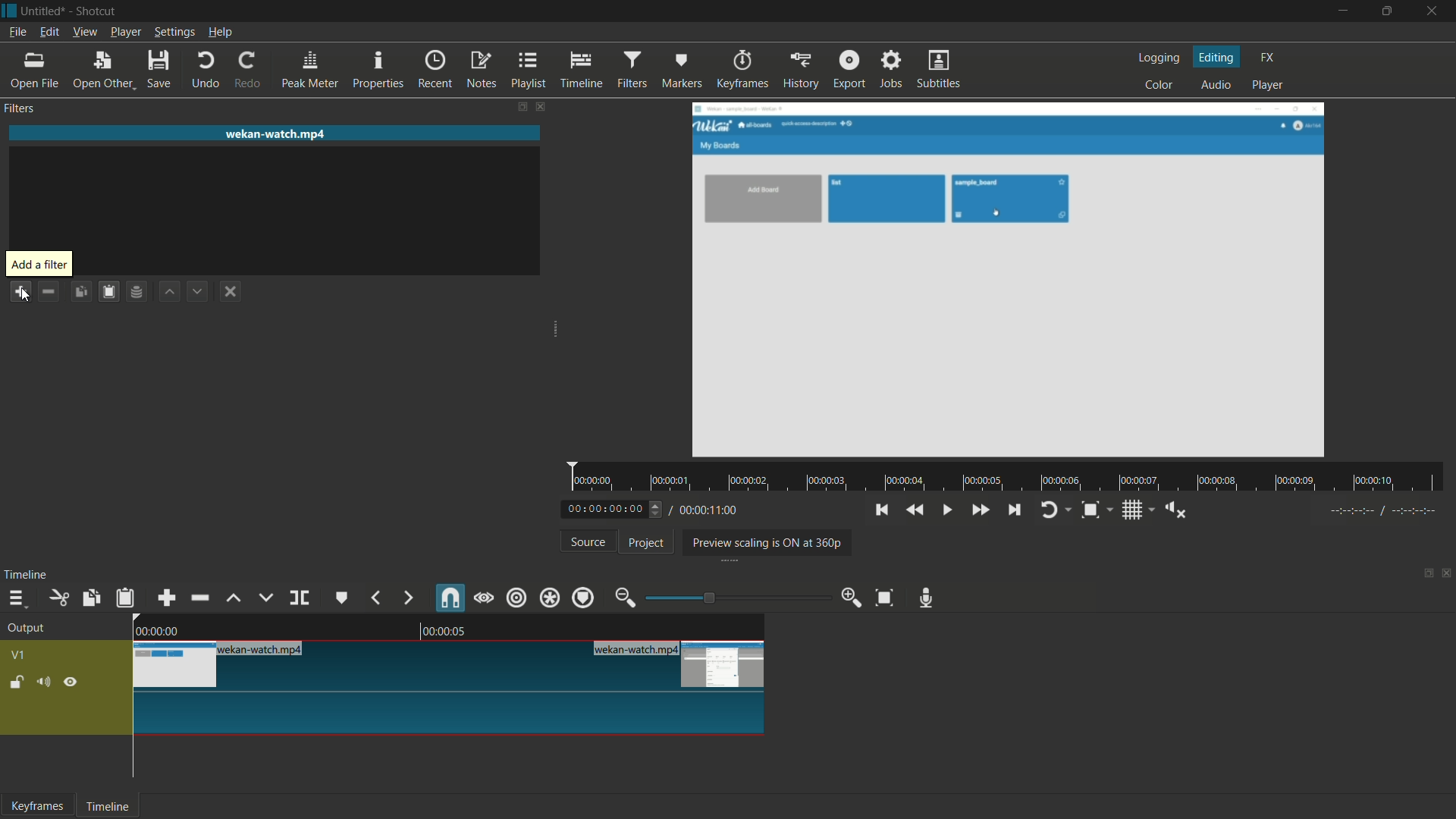 Image resolution: width=1456 pixels, height=819 pixels. I want to click on zoom in, so click(850, 597).